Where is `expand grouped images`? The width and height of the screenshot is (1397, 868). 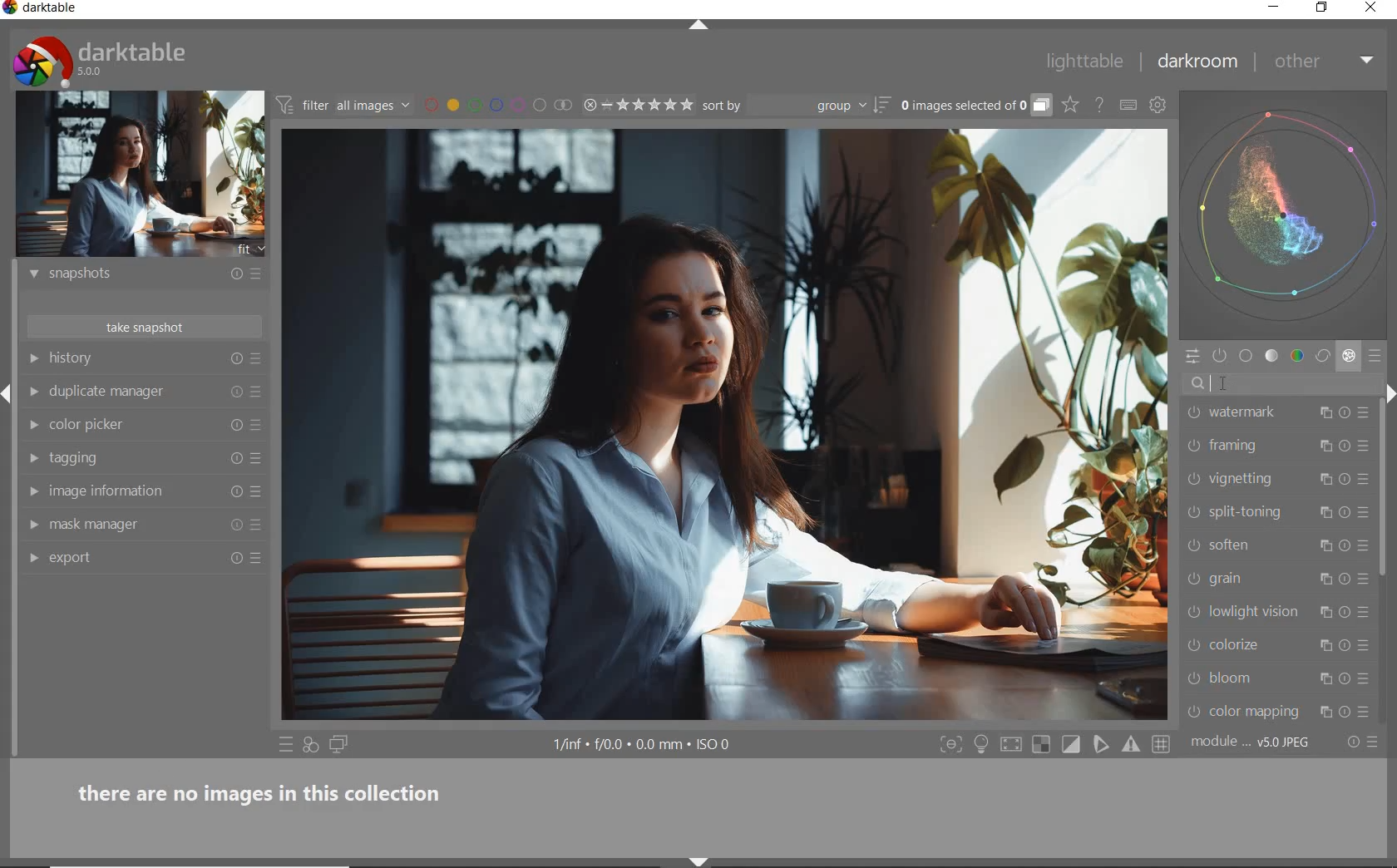 expand grouped images is located at coordinates (975, 106).